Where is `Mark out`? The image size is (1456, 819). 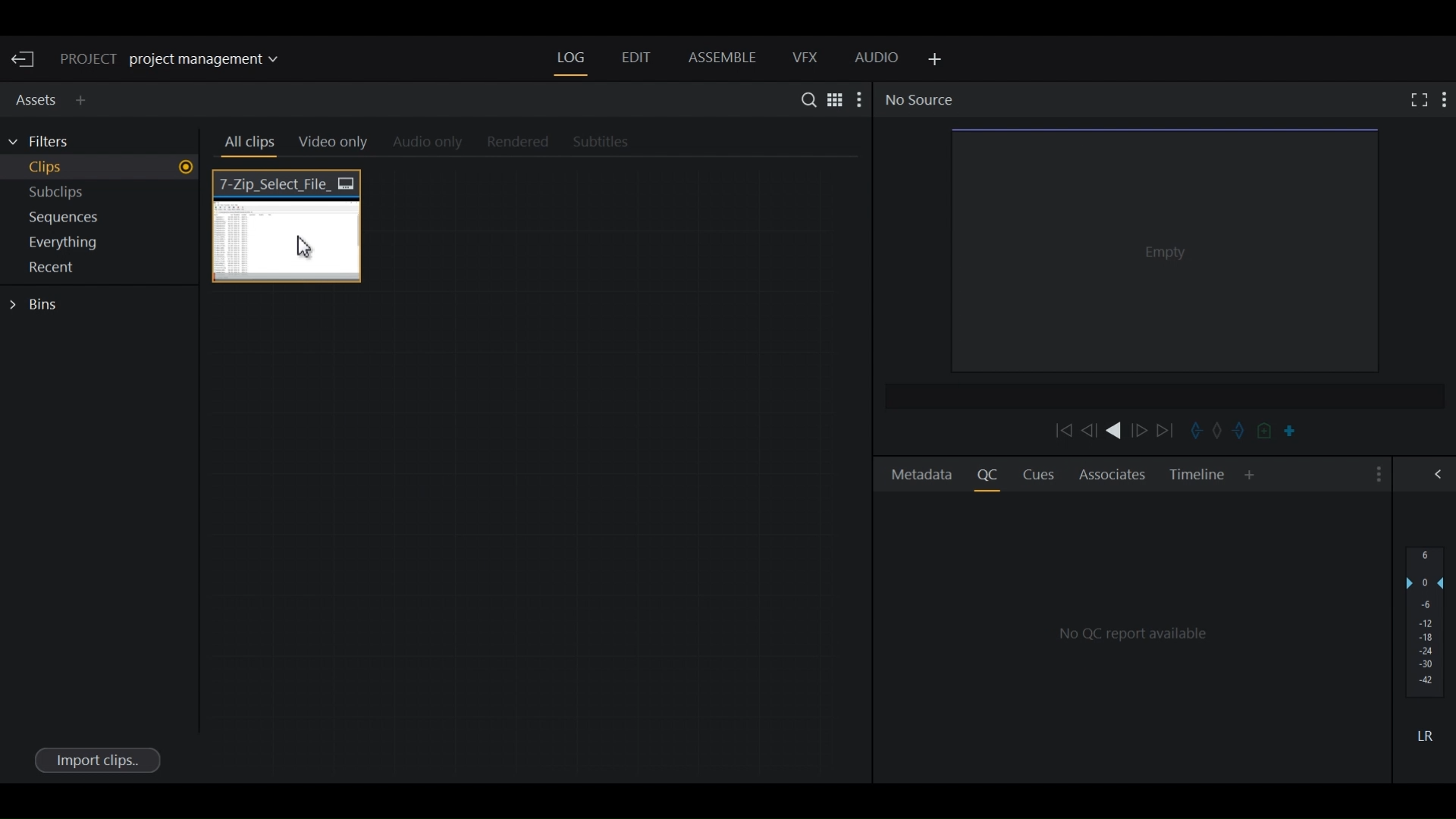
Mark out is located at coordinates (1241, 430).